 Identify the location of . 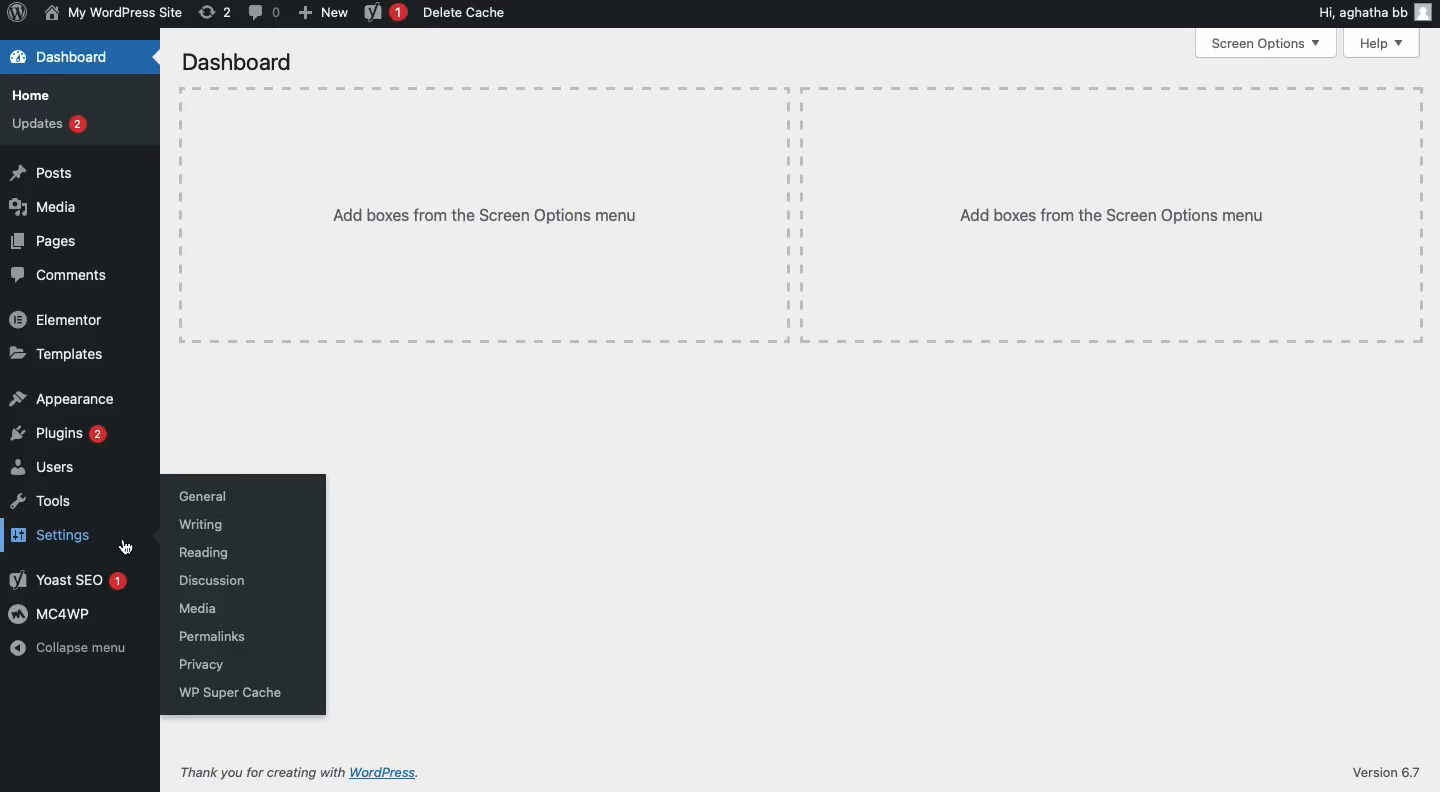
(132, 548).